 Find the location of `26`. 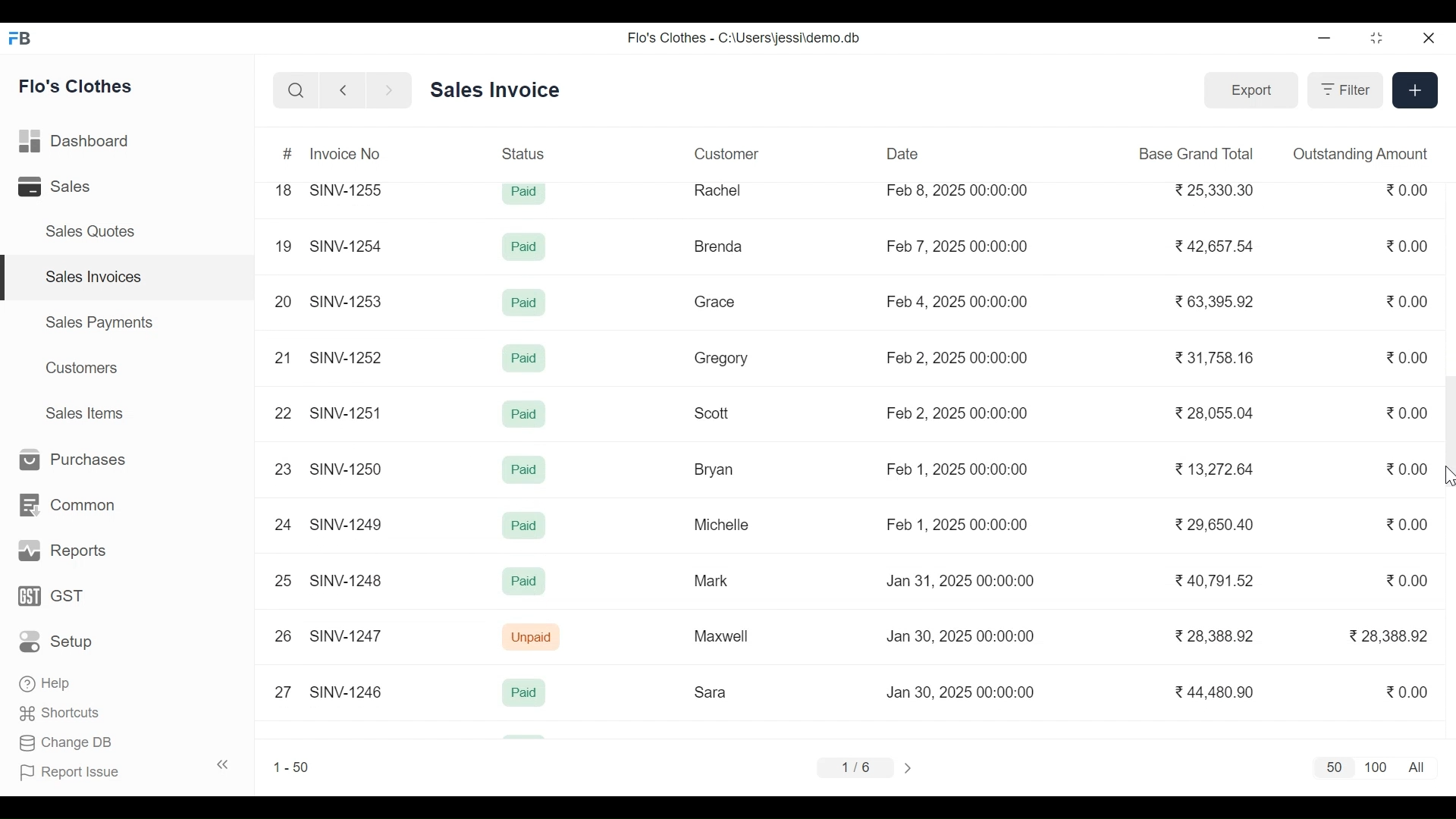

26 is located at coordinates (284, 636).